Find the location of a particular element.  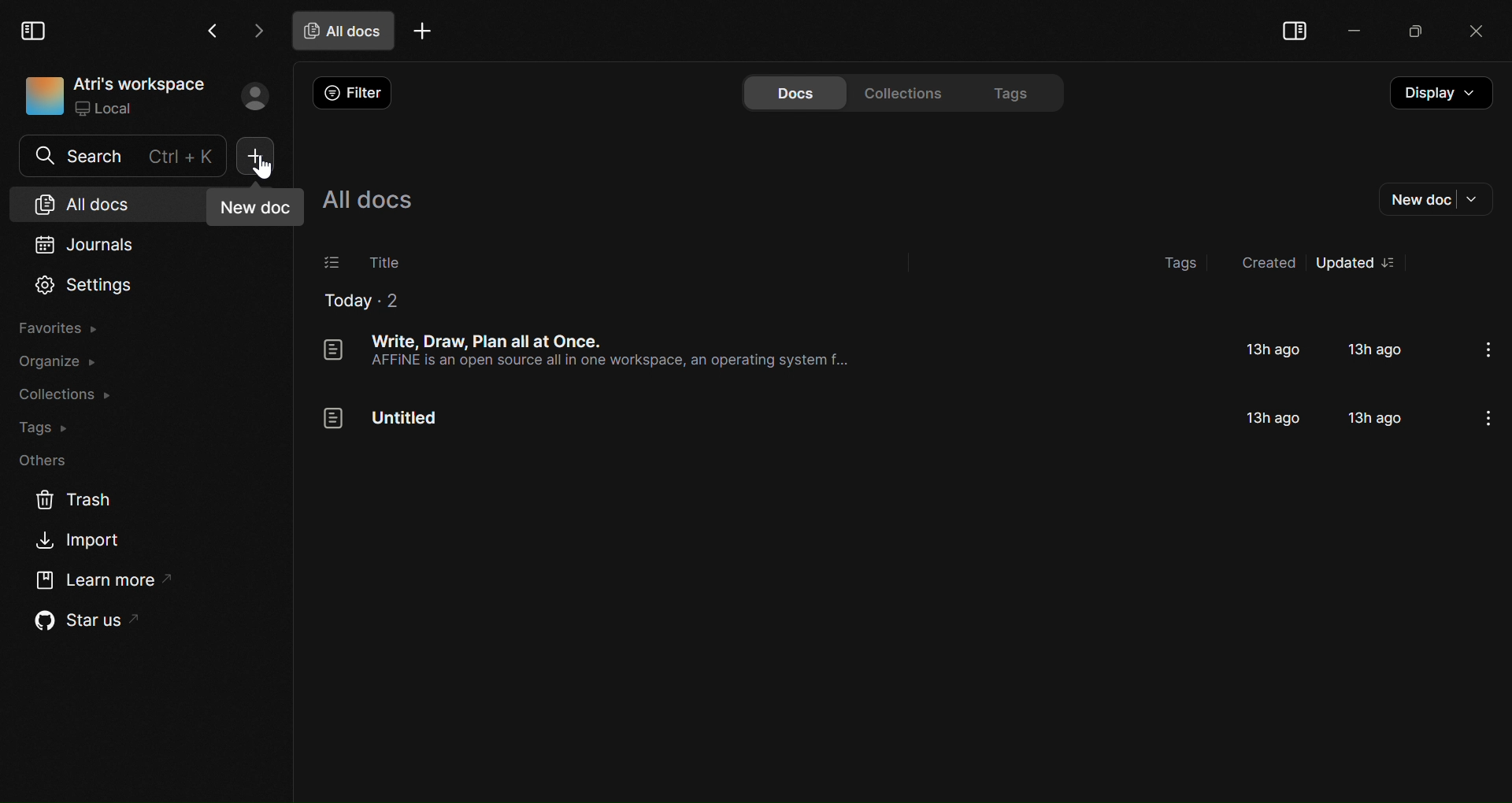

Docs is located at coordinates (793, 92).